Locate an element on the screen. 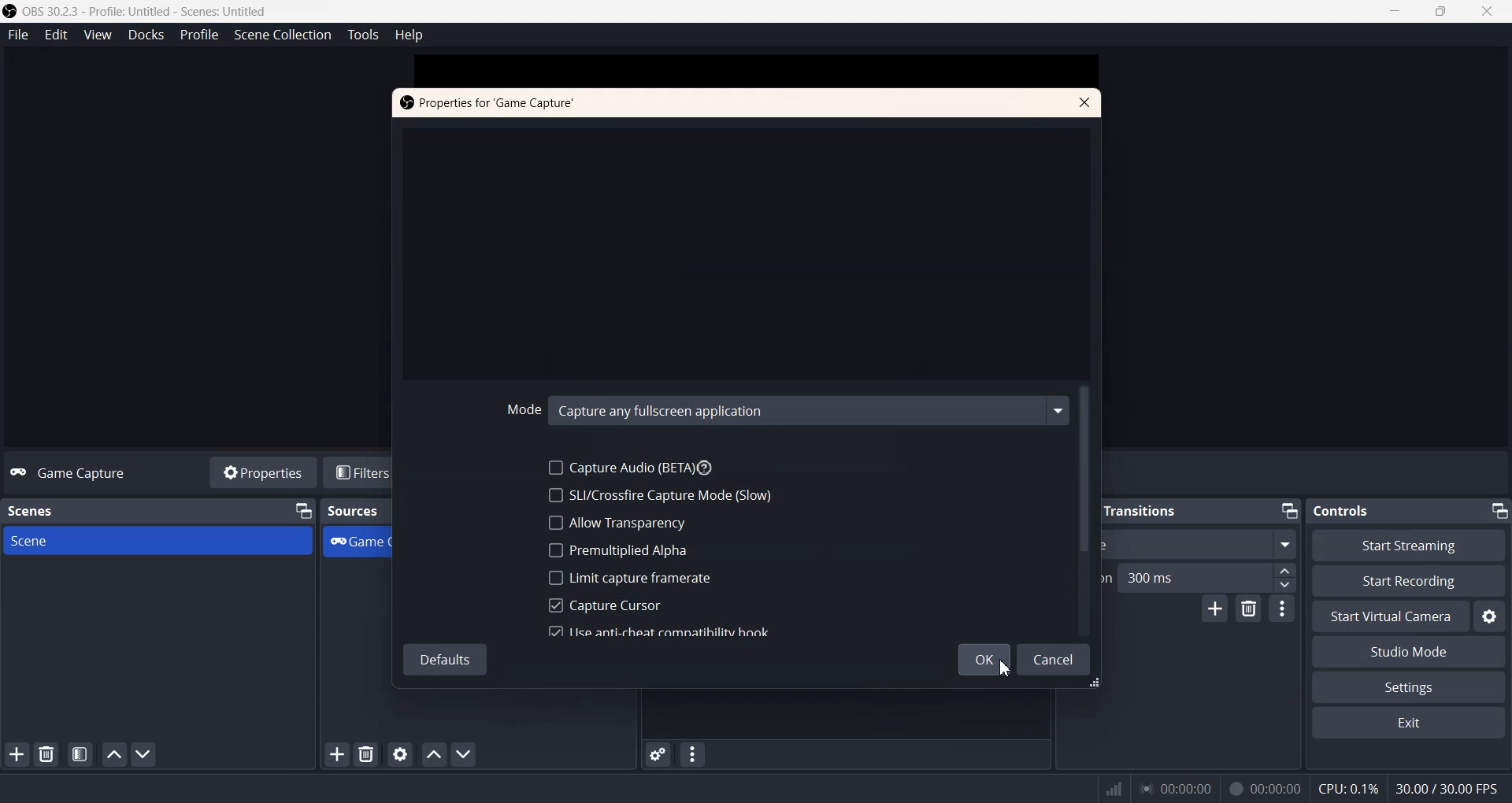 Image resolution: width=1512 pixels, height=803 pixels. File is located at coordinates (19, 34).